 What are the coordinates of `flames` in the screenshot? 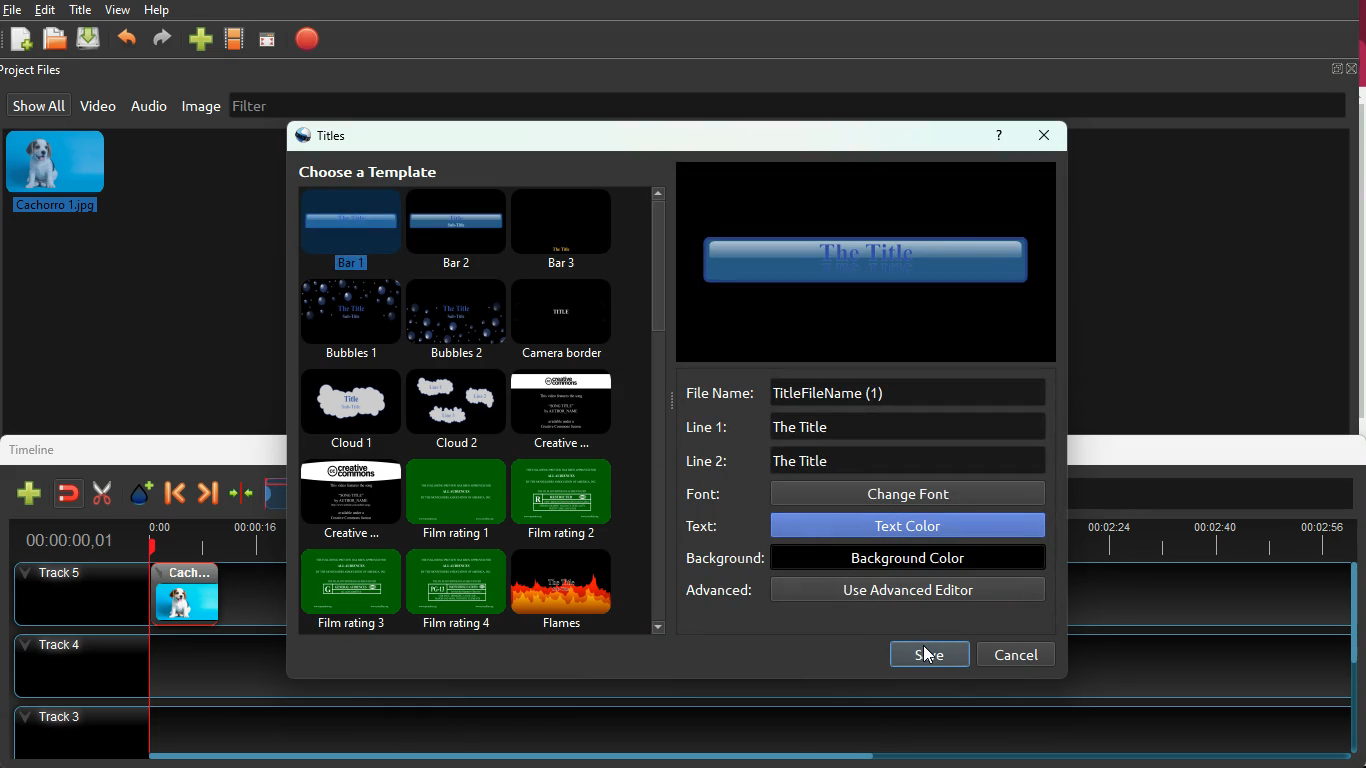 It's located at (562, 588).